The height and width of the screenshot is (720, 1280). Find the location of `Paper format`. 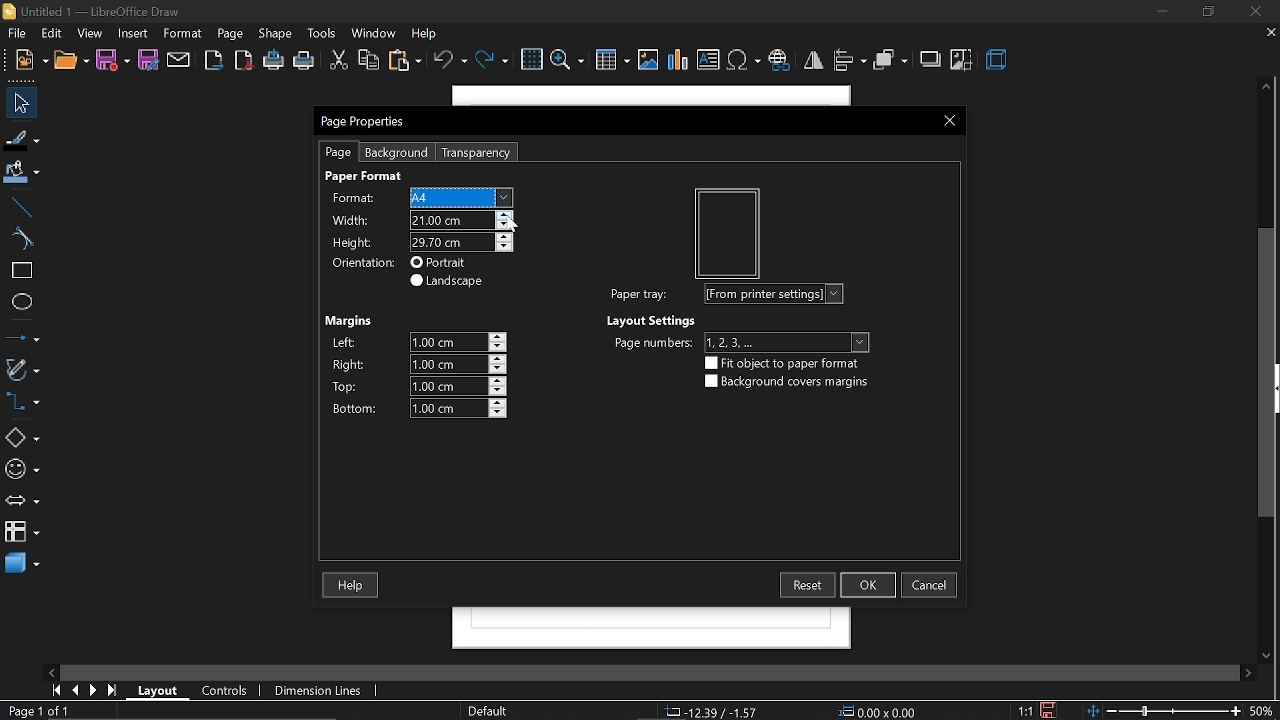

Paper format is located at coordinates (364, 177).